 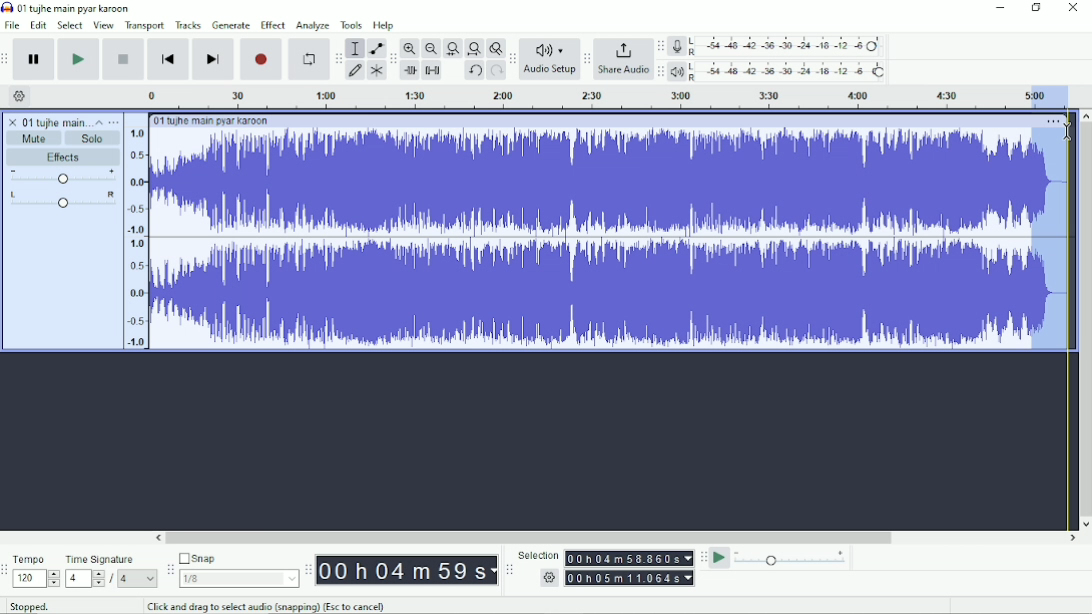 What do you see at coordinates (794, 558) in the screenshot?
I see `Playback speed` at bounding box center [794, 558].